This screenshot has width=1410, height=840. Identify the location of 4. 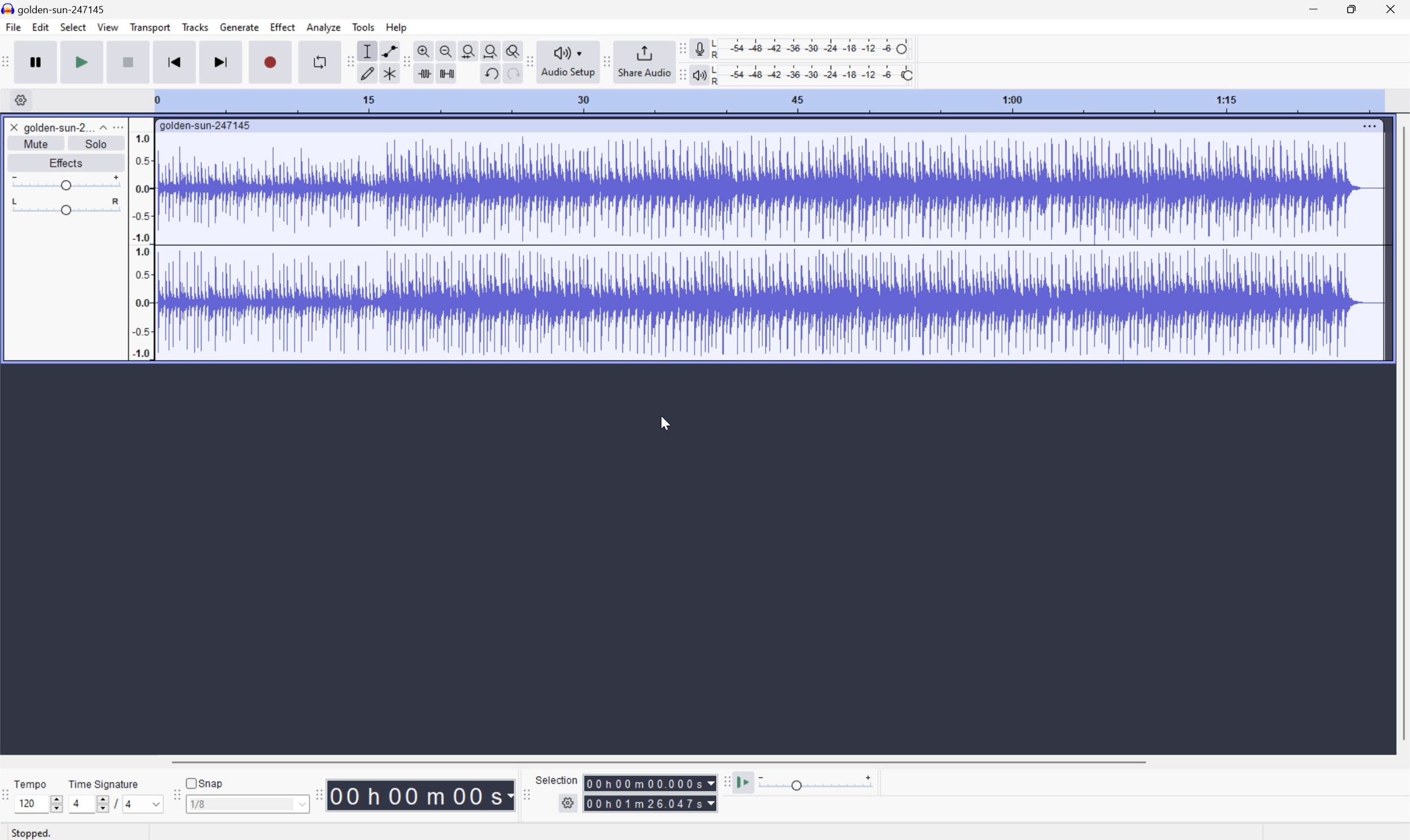
(144, 804).